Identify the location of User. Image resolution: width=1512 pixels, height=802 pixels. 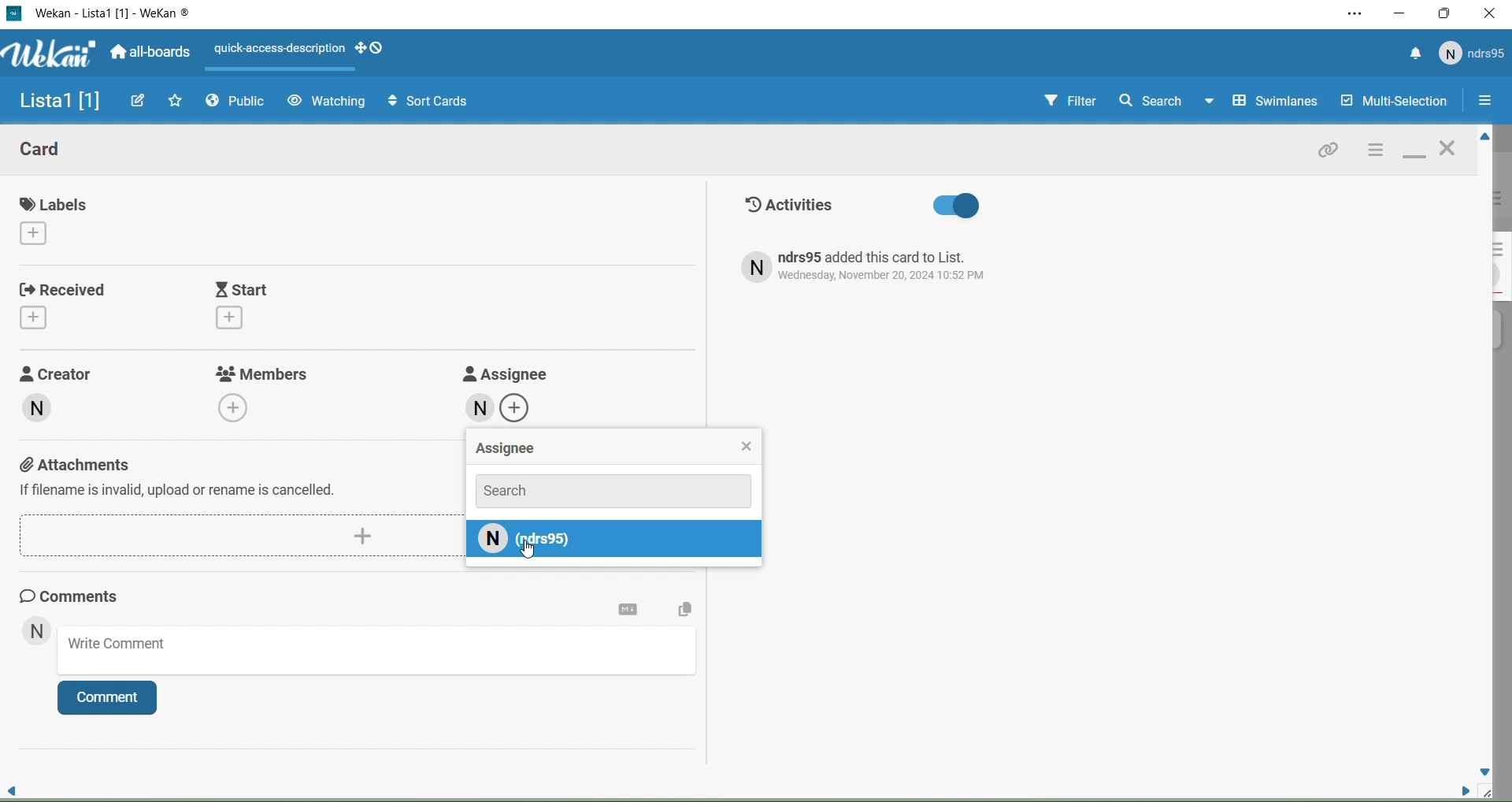
(1473, 54).